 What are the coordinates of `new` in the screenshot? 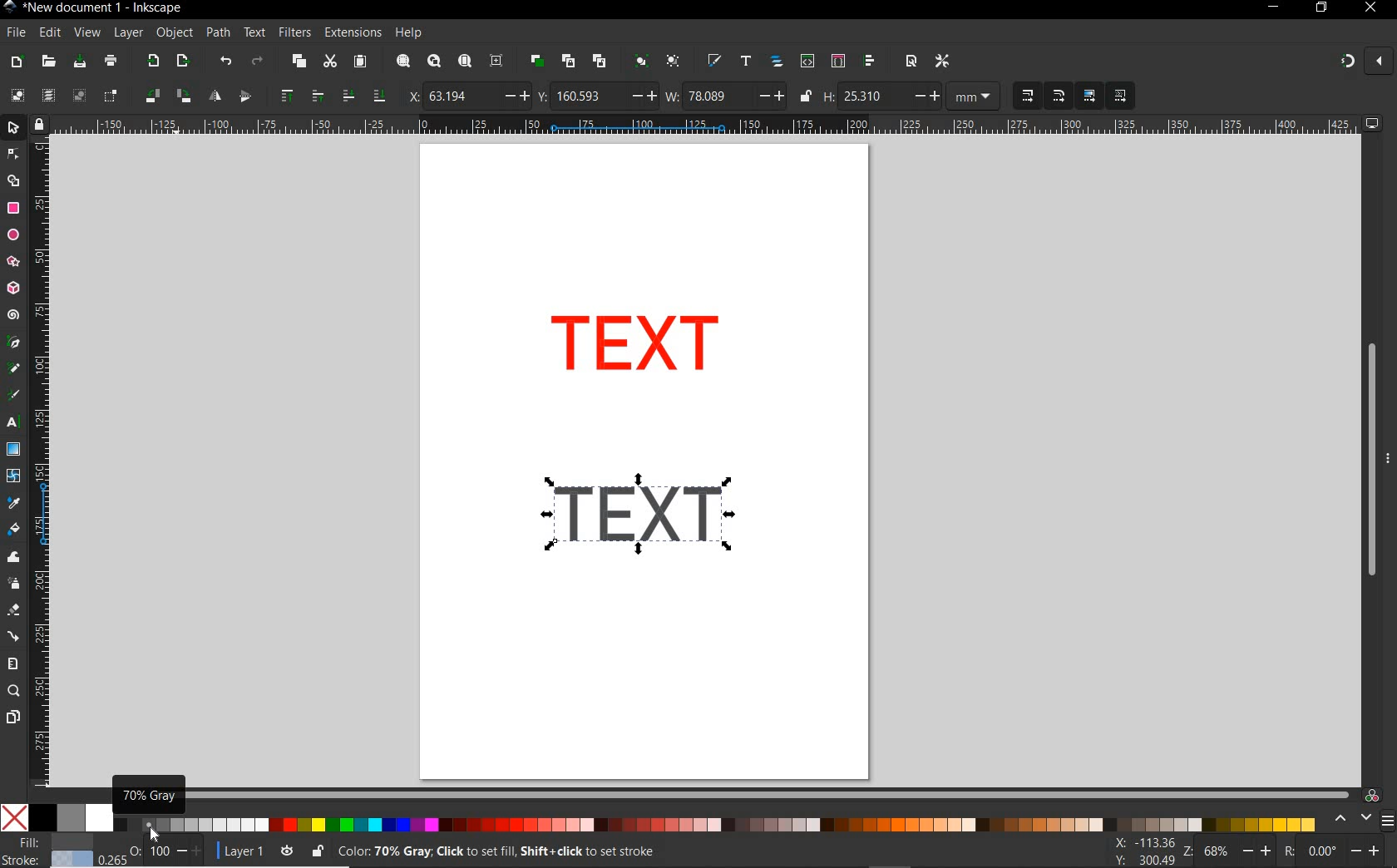 It's located at (17, 61).